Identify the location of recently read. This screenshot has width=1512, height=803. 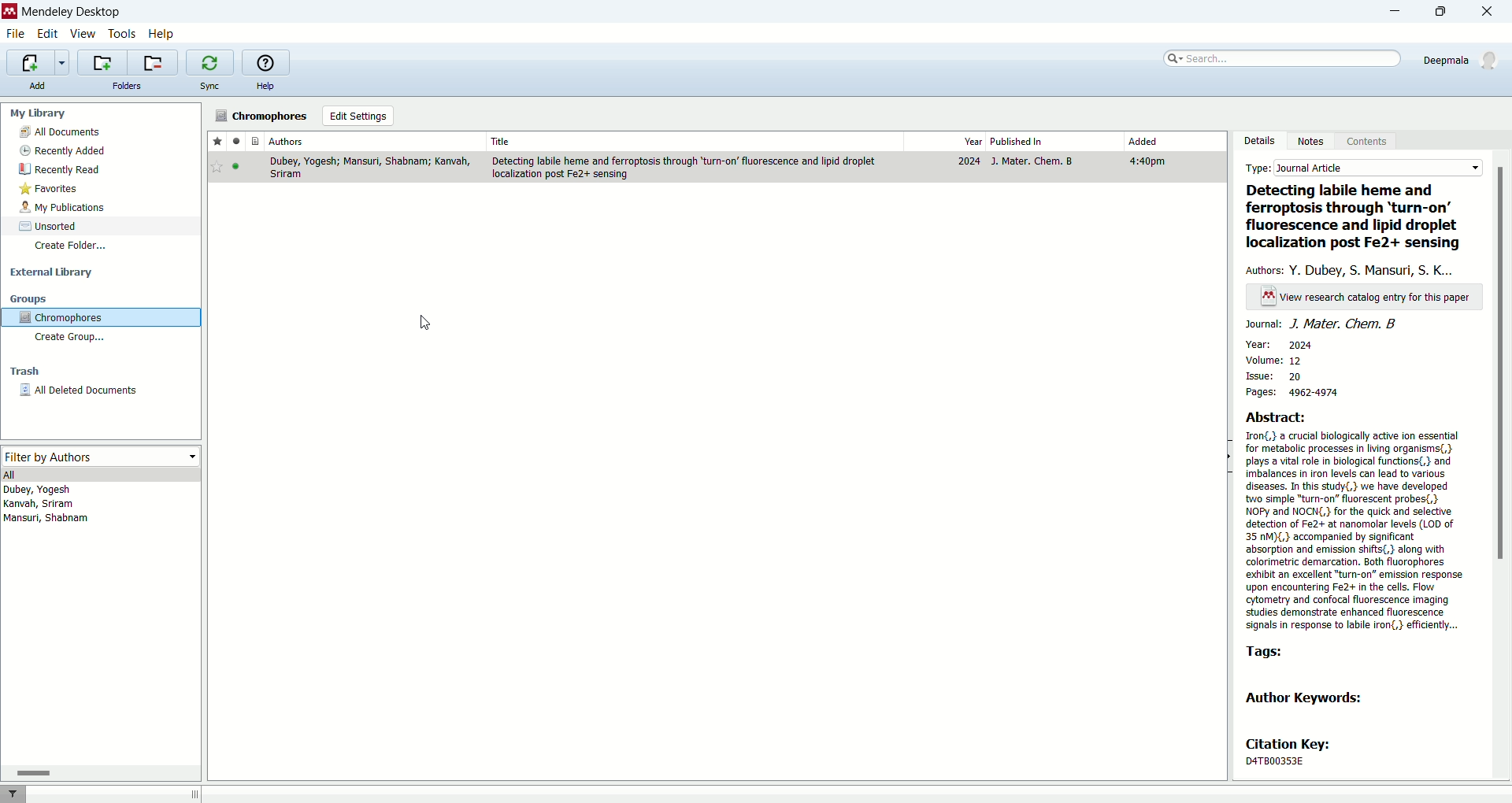
(60, 171).